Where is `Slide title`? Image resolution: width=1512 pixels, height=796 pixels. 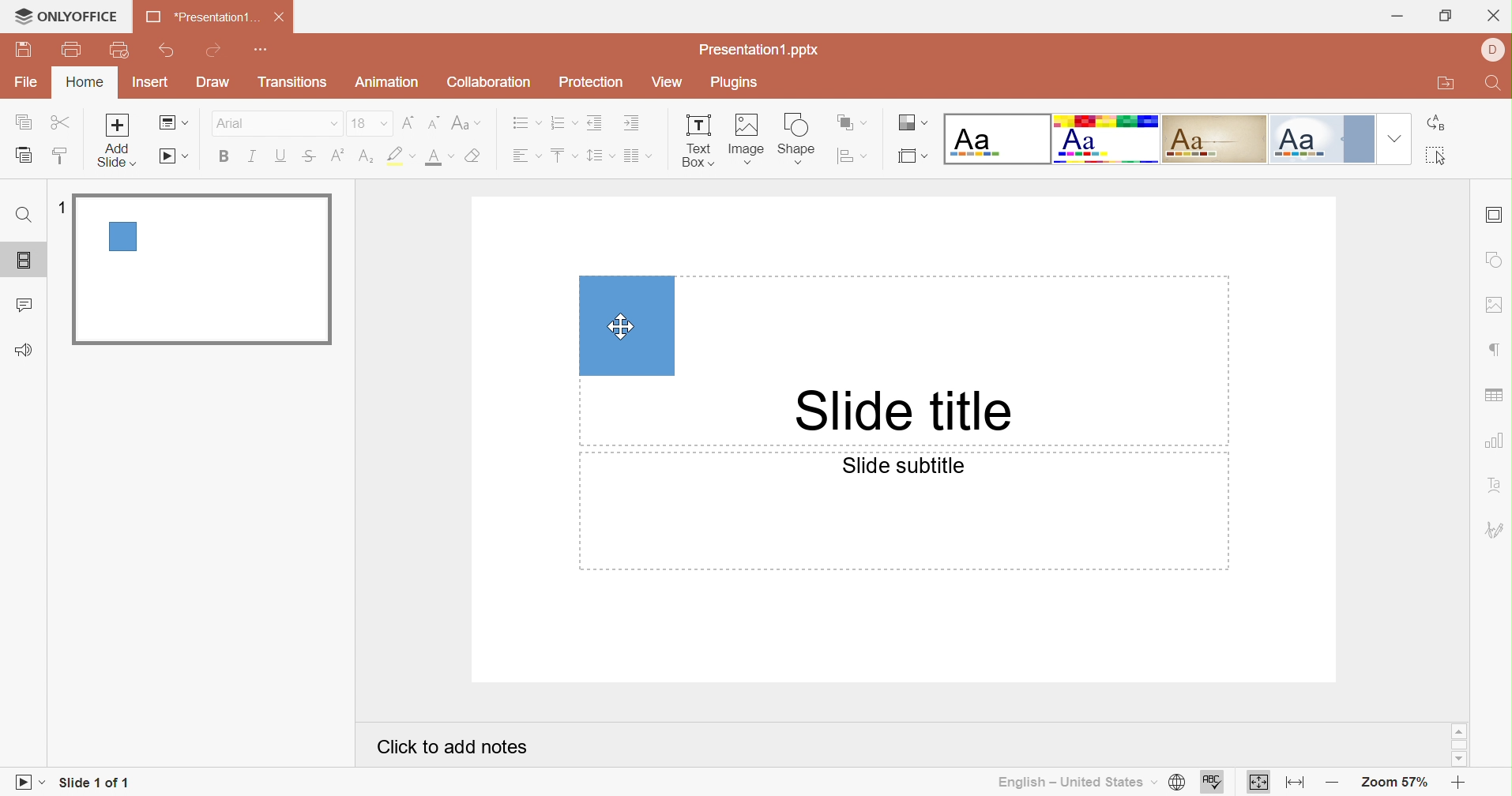
Slide title is located at coordinates (897, 411).